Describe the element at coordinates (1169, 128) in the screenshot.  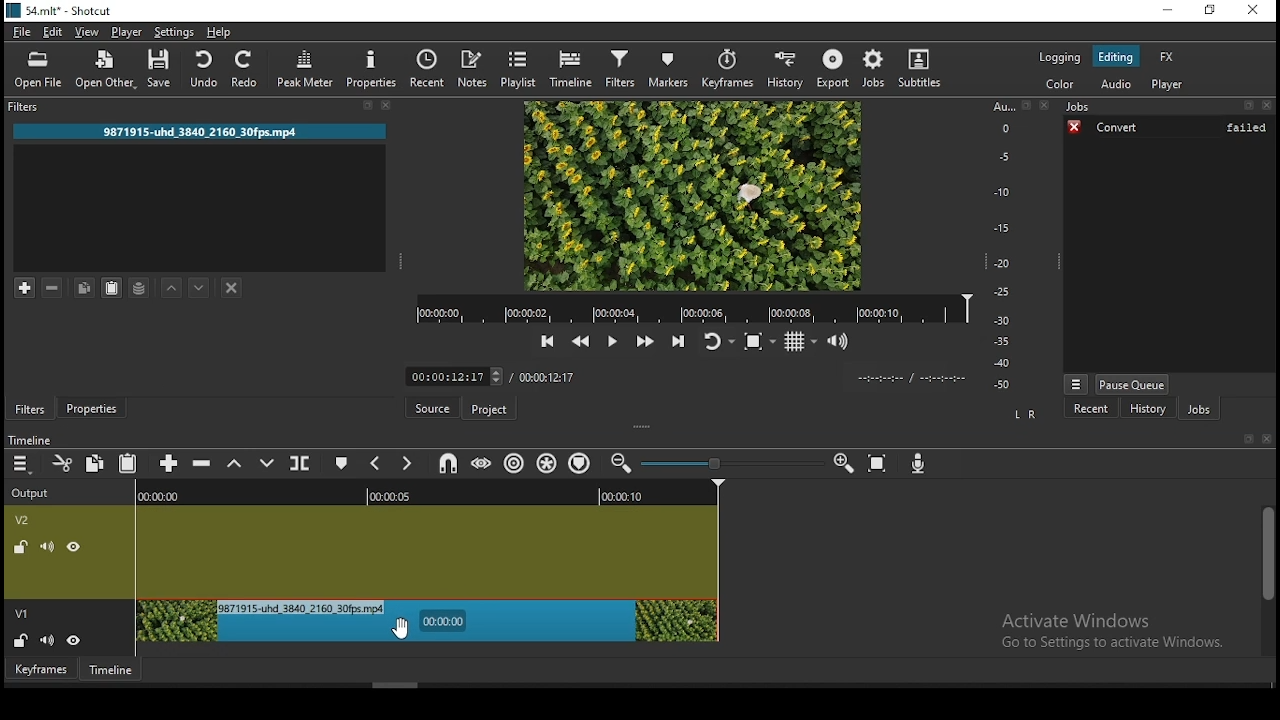
I see `convert failed` at that location.